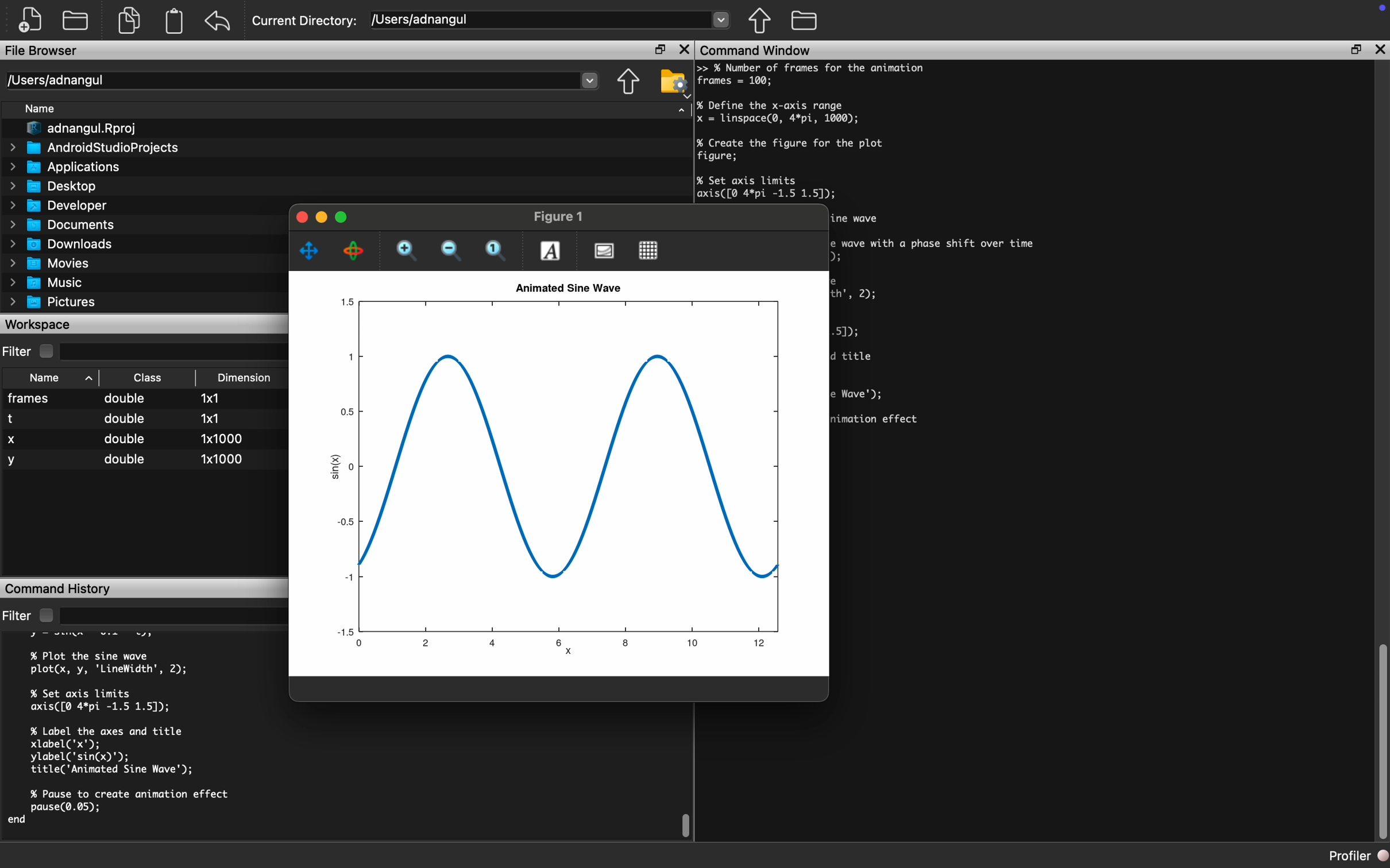 The width and height of the screenshot is (1390, 868). What do you see at coordinates (662, 49) in the screenshot?
I see `Restore Down` at bounding box center [662, 49].